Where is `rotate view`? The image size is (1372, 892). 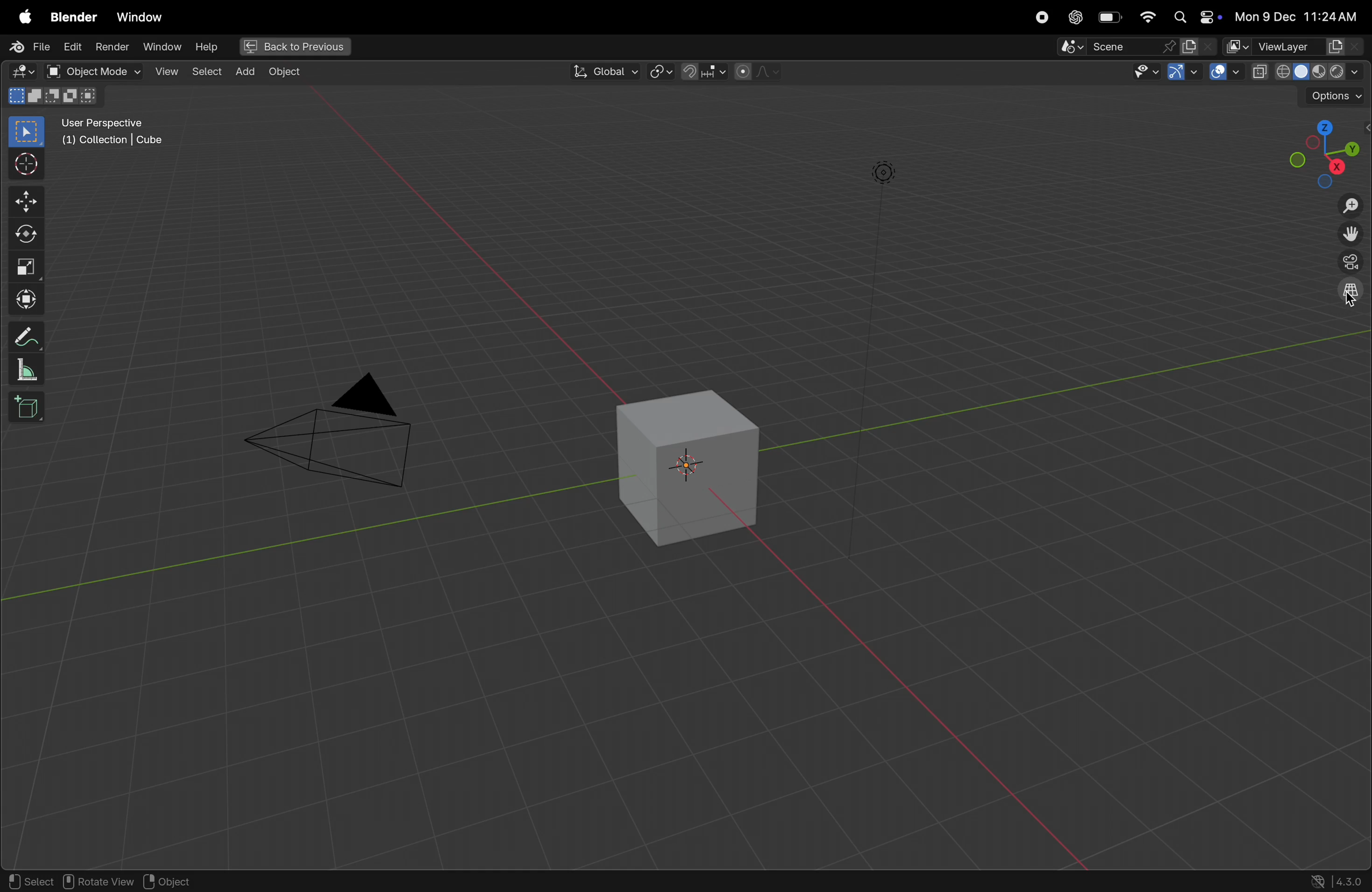 rotate view is located at coordinates (96, 881).